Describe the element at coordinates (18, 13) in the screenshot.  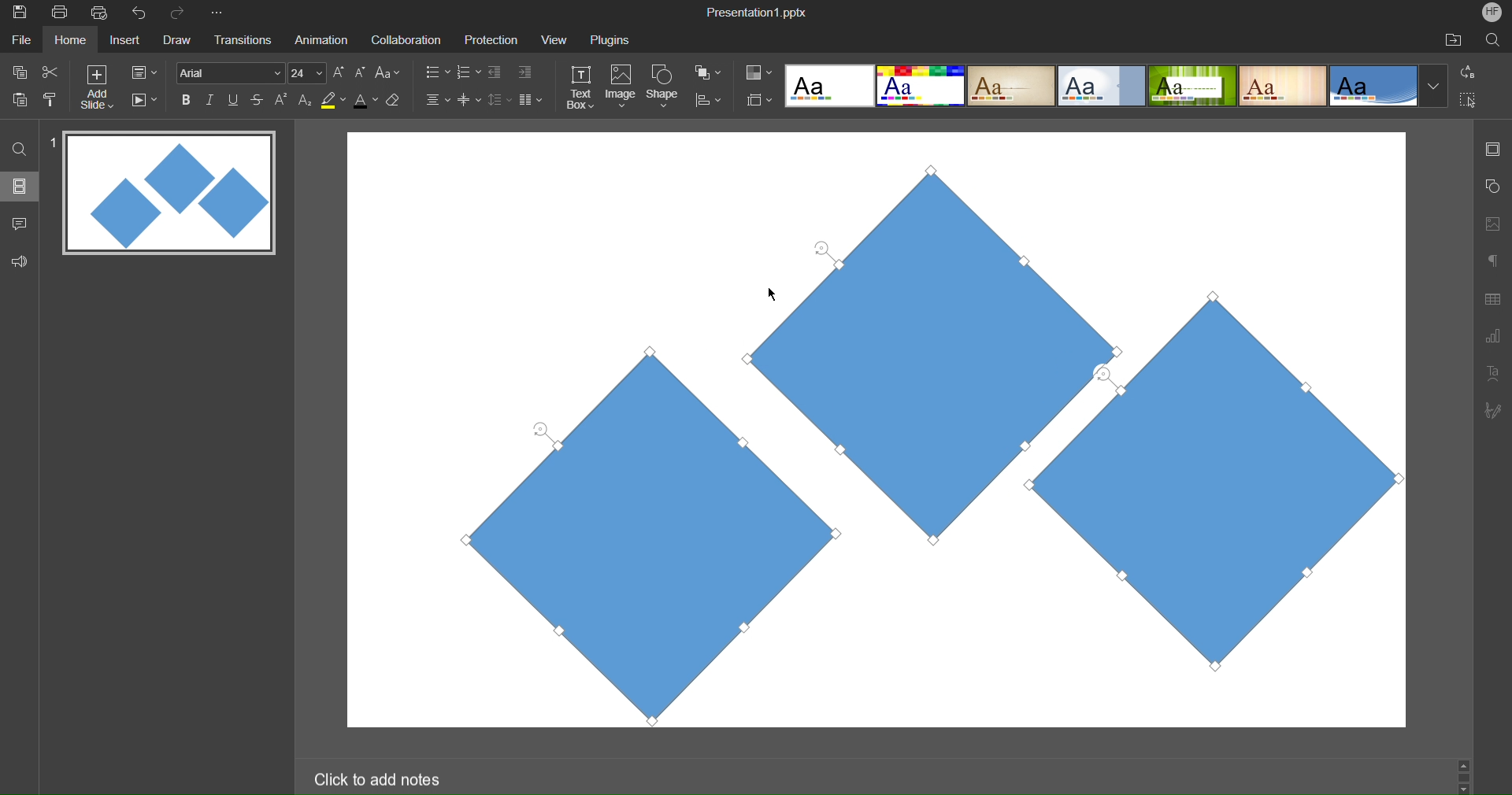
I see `Save` at that location.